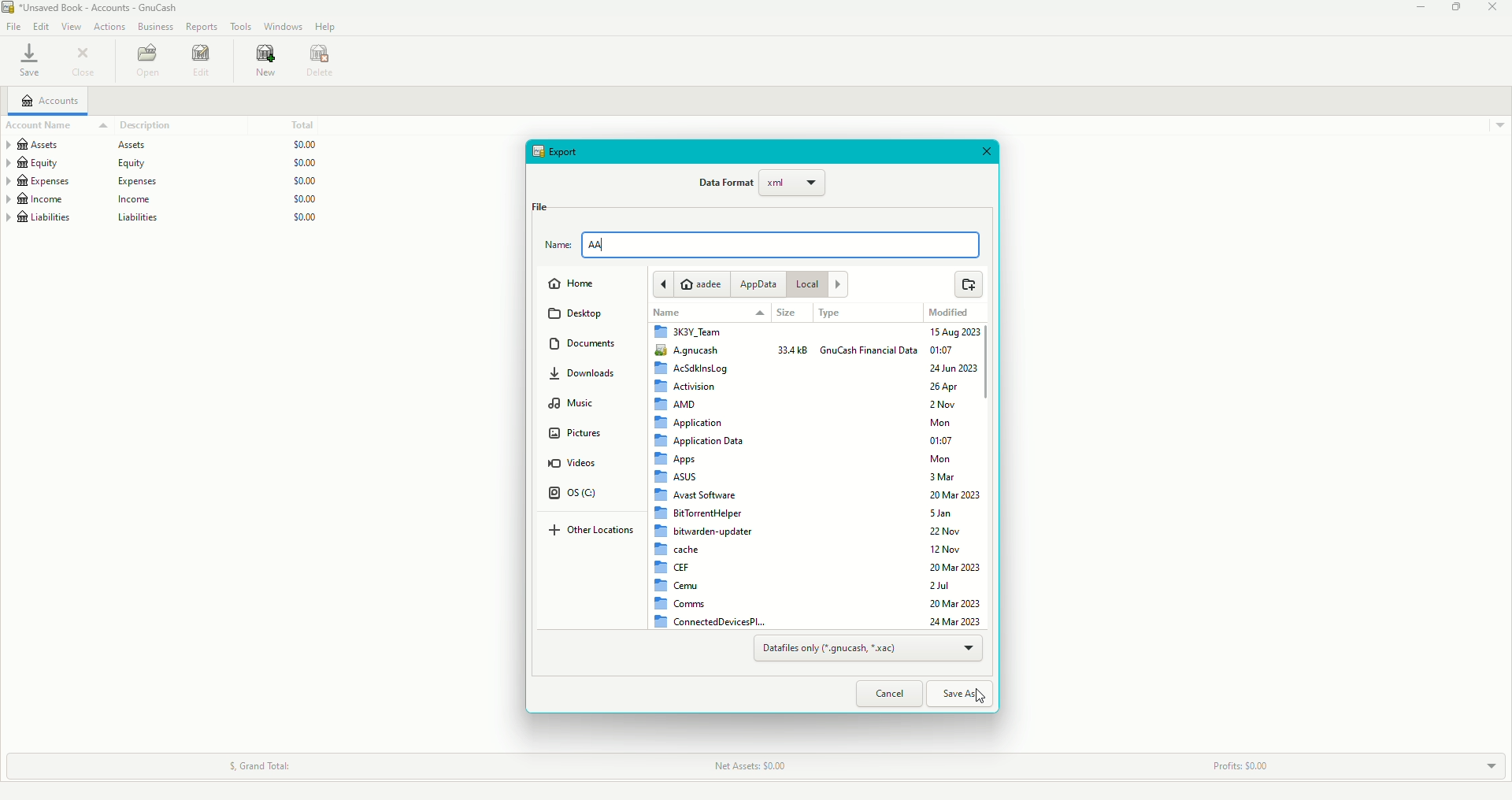 Image resolution: width=1512 pixels, height=800 pixels. I want to click on Description, so click(137, 125).